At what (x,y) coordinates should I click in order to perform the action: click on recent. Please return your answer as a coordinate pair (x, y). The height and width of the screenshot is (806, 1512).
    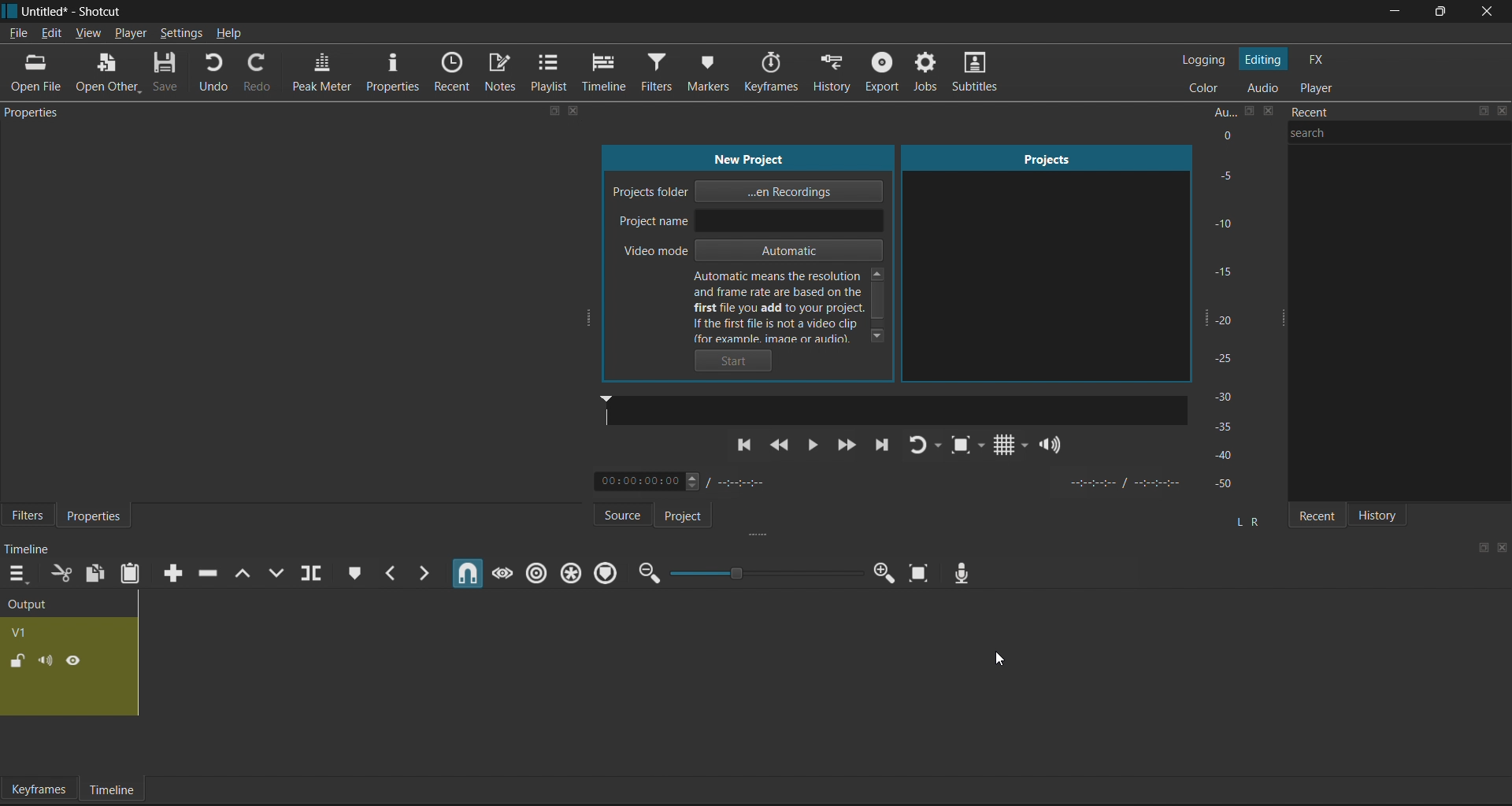
    Looking at the image, I should click on (1360, 114).